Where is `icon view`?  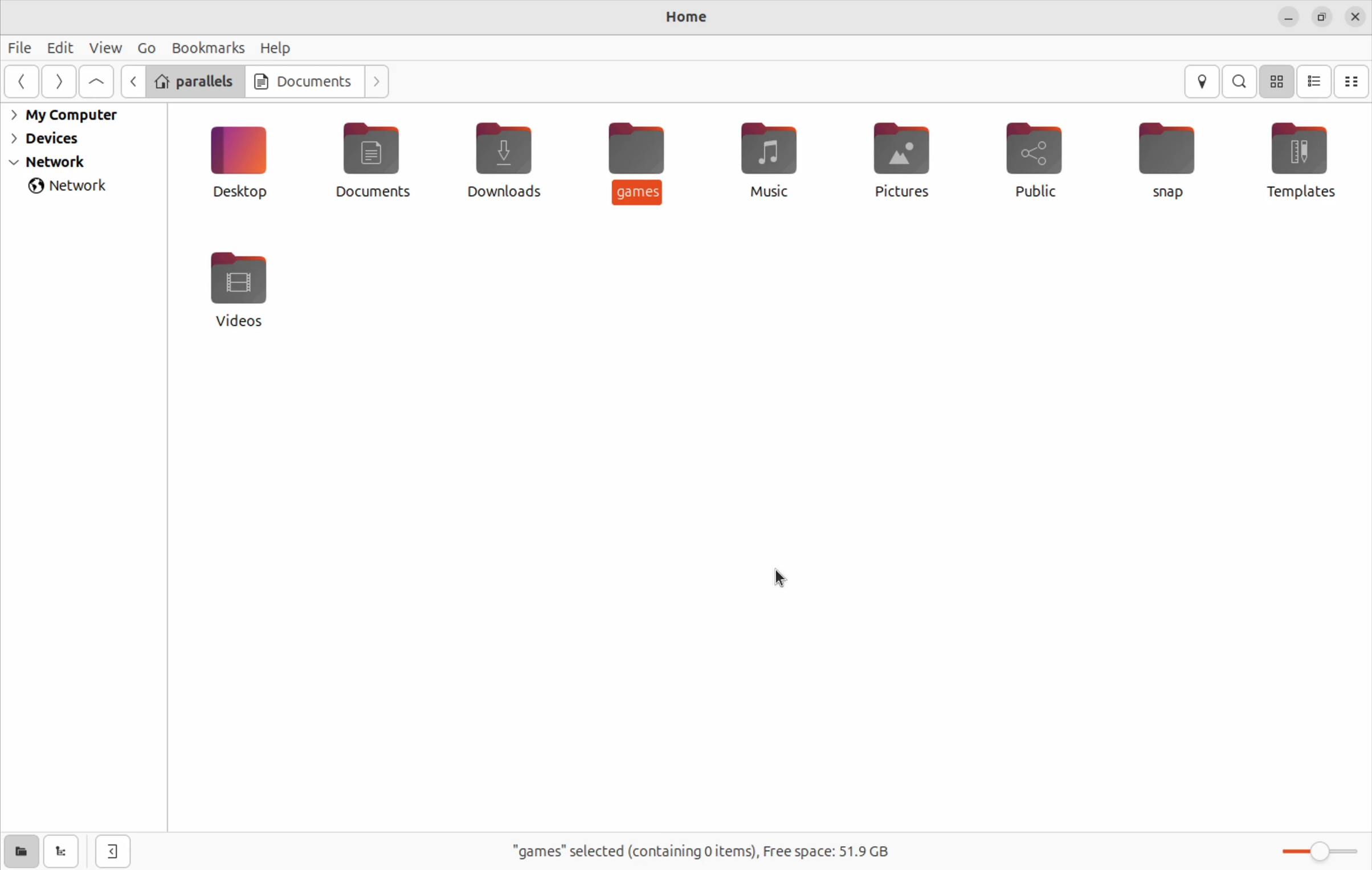 icon view is located at coordinates (1279, 81).